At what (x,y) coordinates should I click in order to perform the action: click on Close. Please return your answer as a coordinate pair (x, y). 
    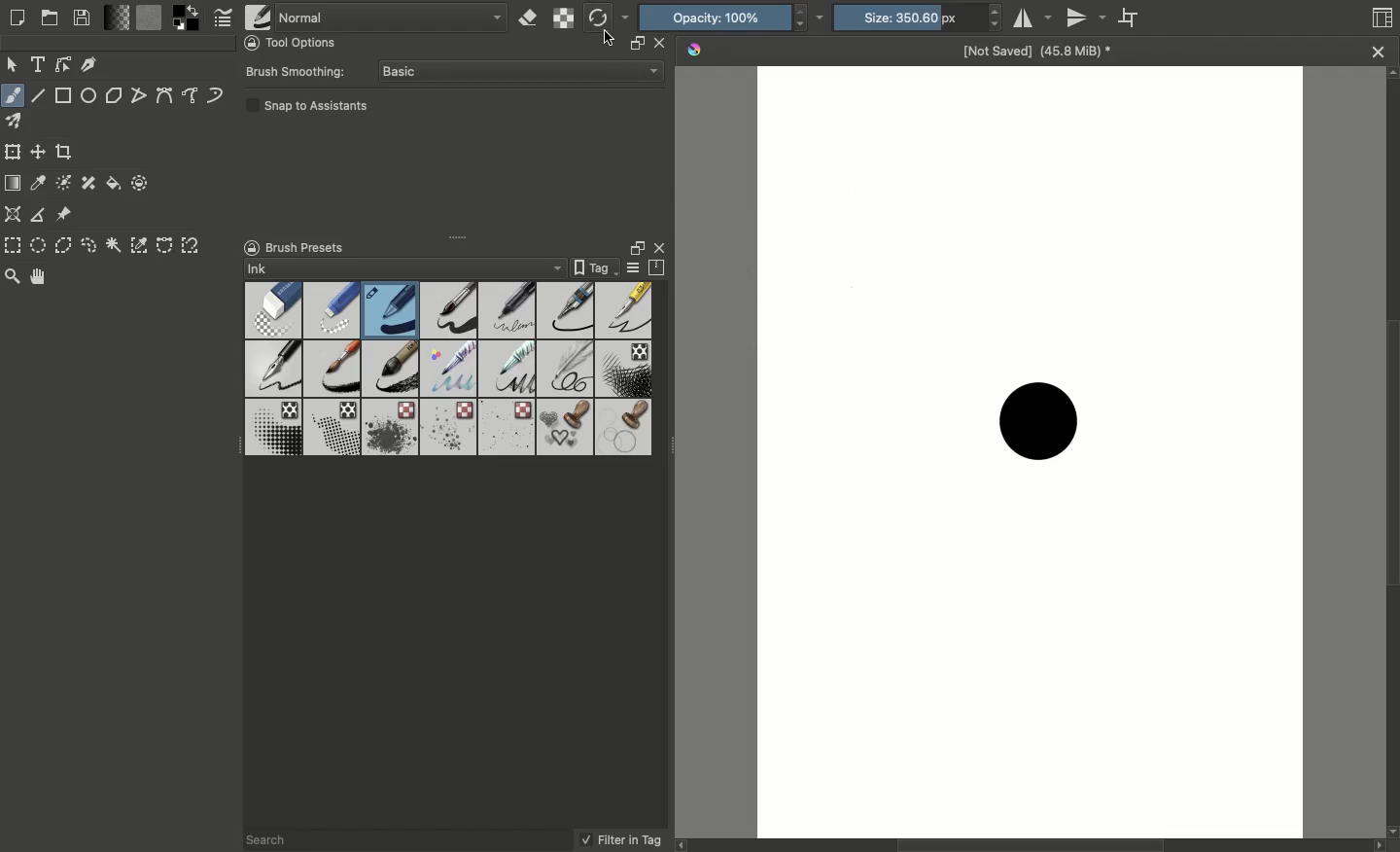
    Looking at the image, I should click on (664, 247).